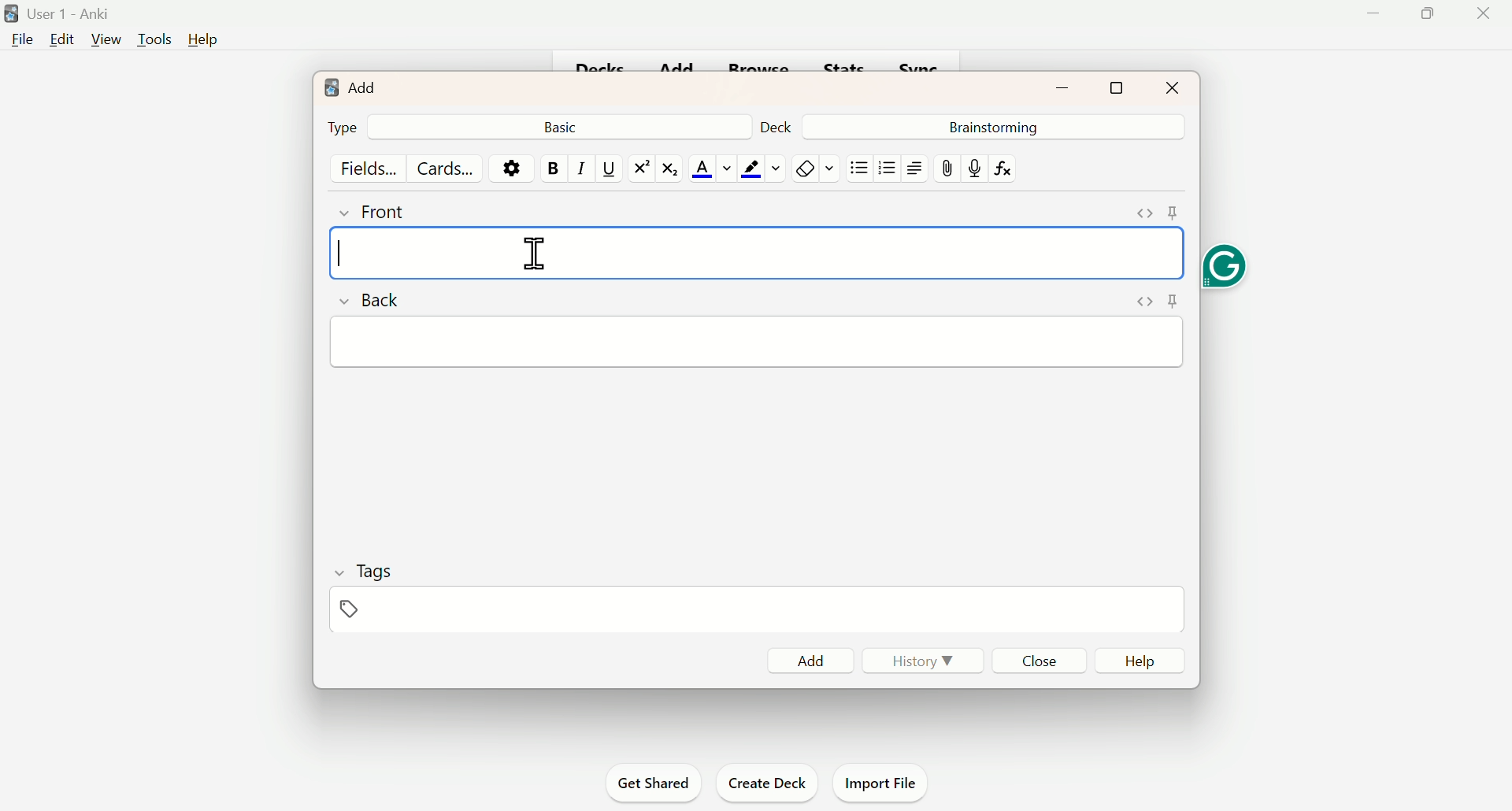 This screenshot has width=1512, height=811. What do you see at coordinates (860, 167) in the screenshot?
I see `Unorganised list` at bounding box center [860, 167].